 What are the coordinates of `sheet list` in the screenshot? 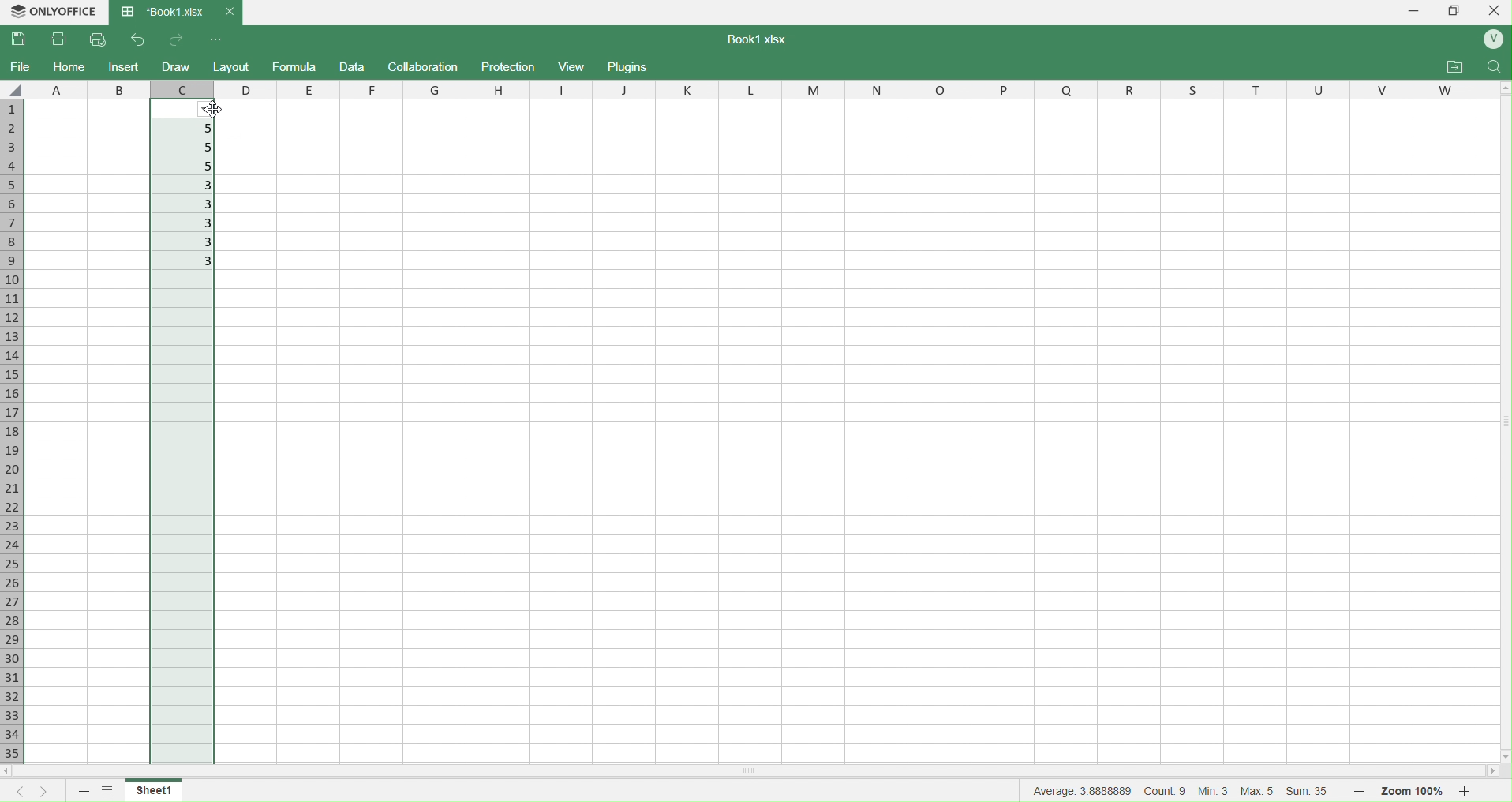 It's located at (110, 789).